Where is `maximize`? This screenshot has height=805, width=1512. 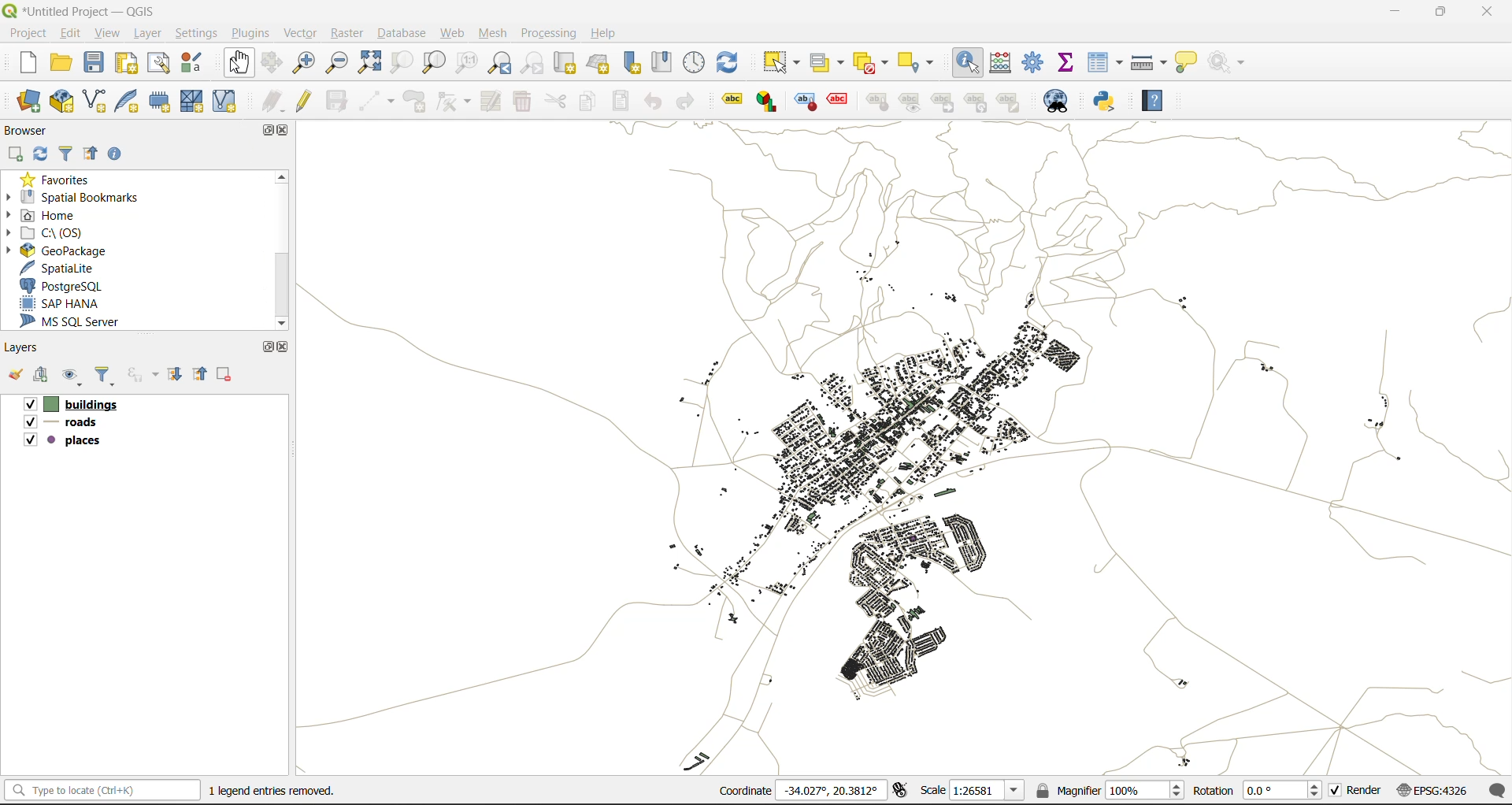
maximize is located at coordinates (263, 349).